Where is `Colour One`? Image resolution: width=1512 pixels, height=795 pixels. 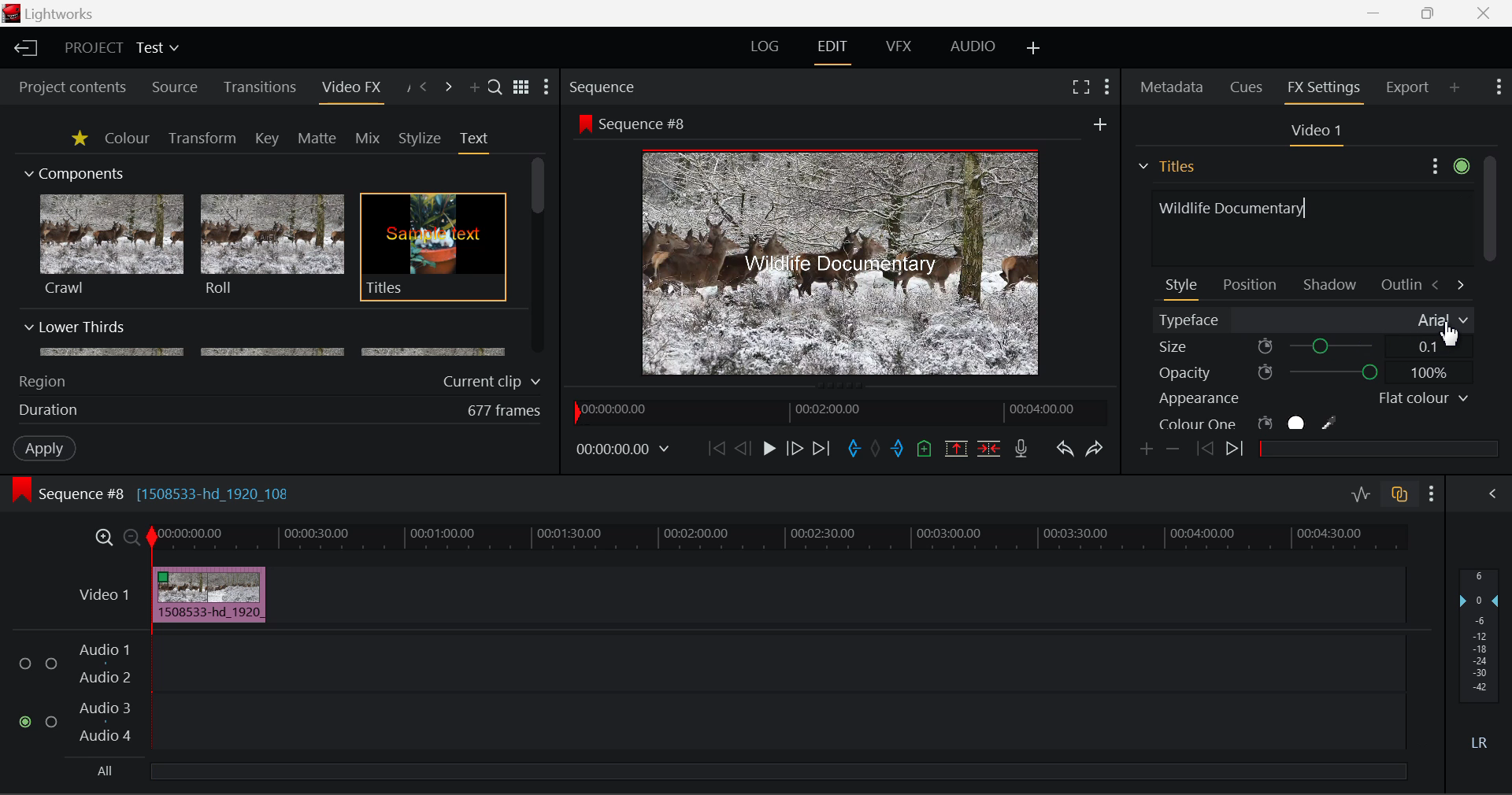
Colour One is located at coordinates (1274, 423).